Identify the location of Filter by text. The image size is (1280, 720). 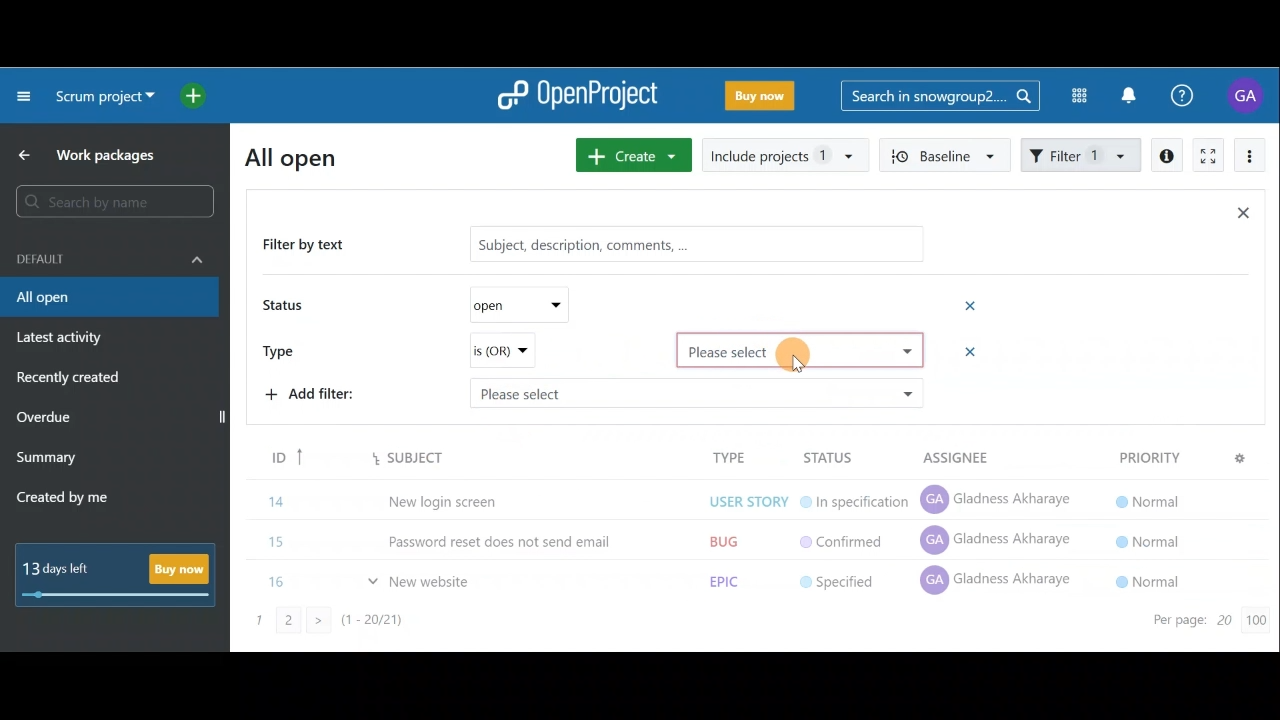
(312, 246).